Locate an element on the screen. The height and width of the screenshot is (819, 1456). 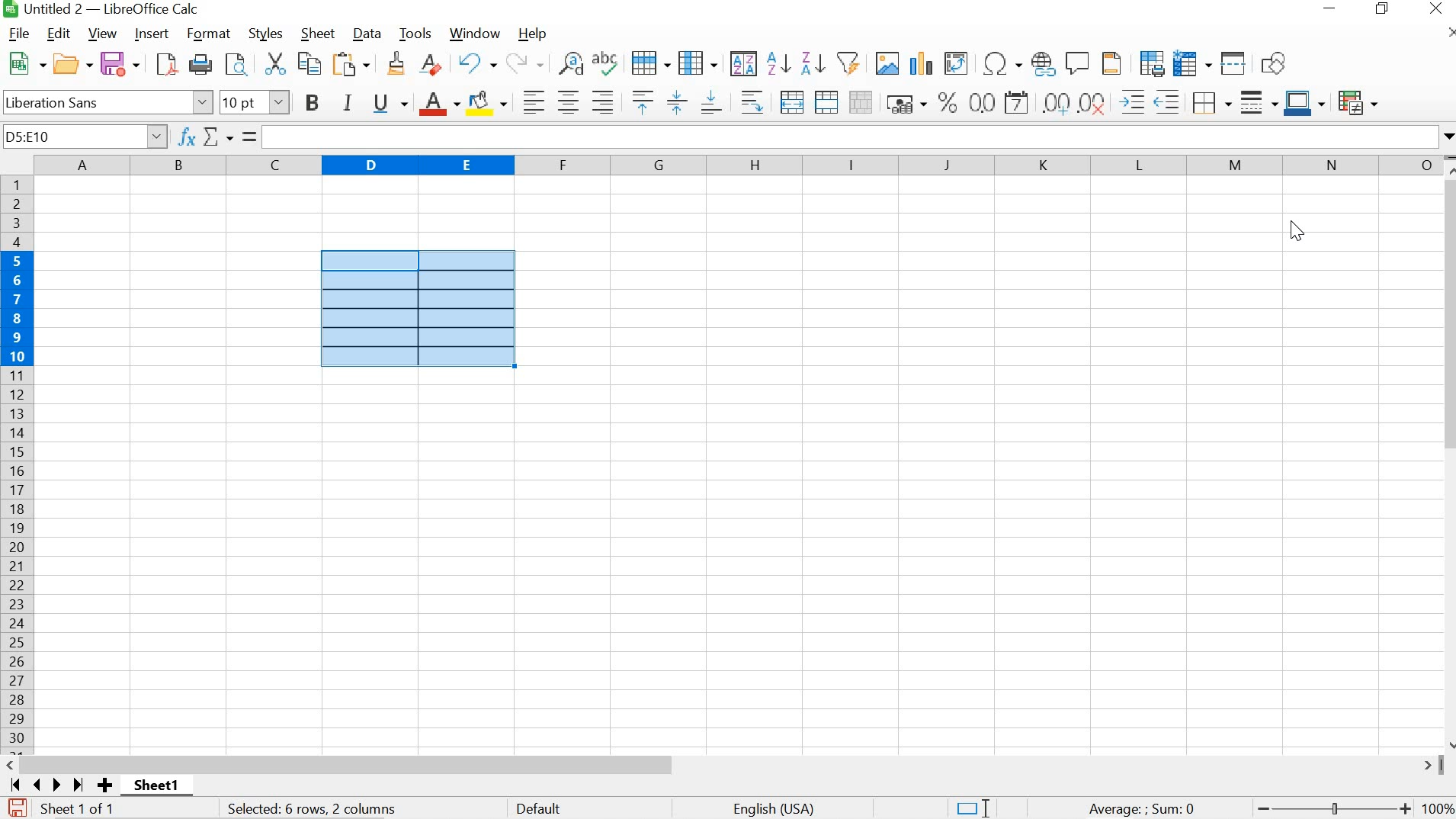
text language is located at coordinates (776, 809).